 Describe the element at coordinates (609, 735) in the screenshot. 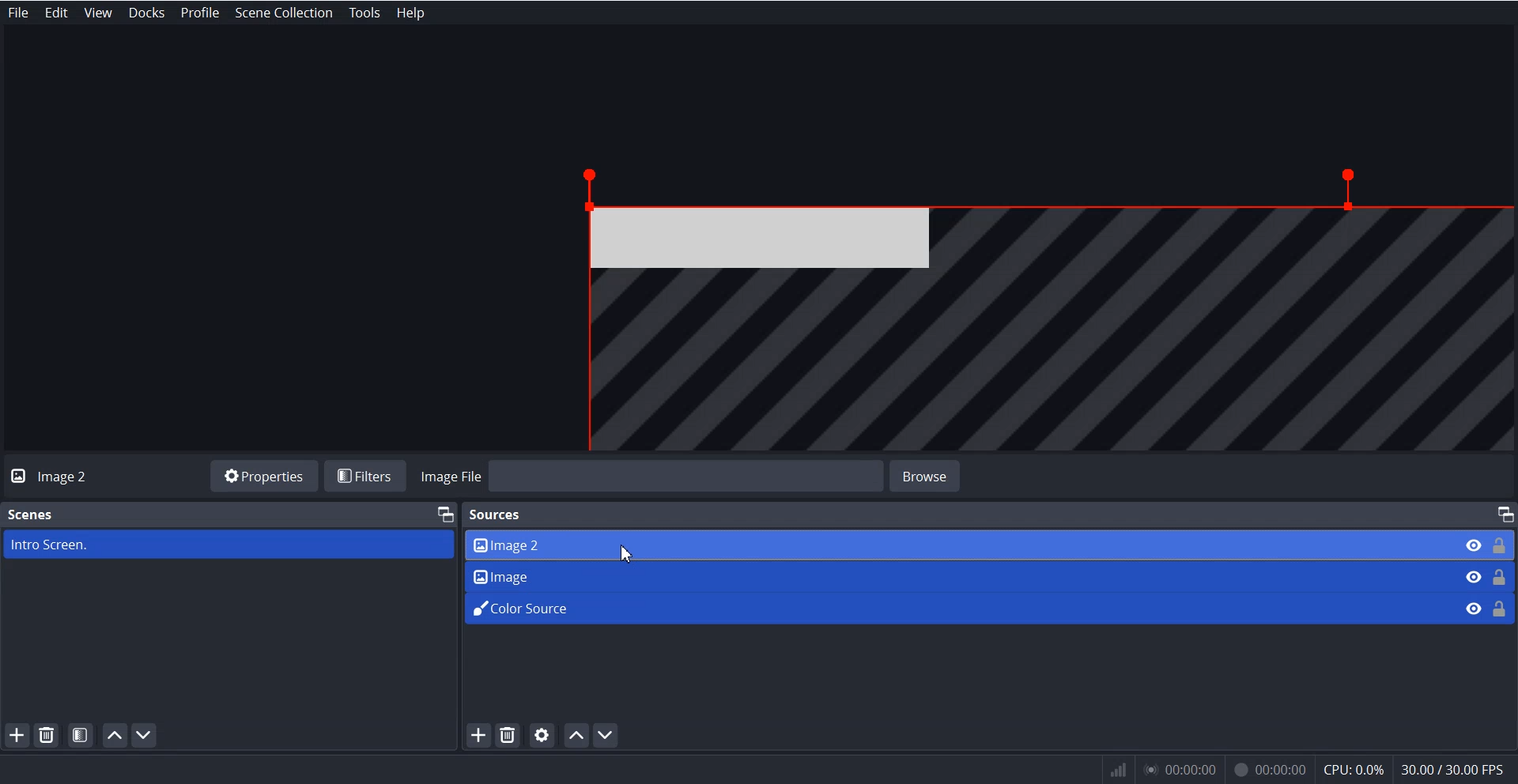

I see `Move Scene down` at that location.